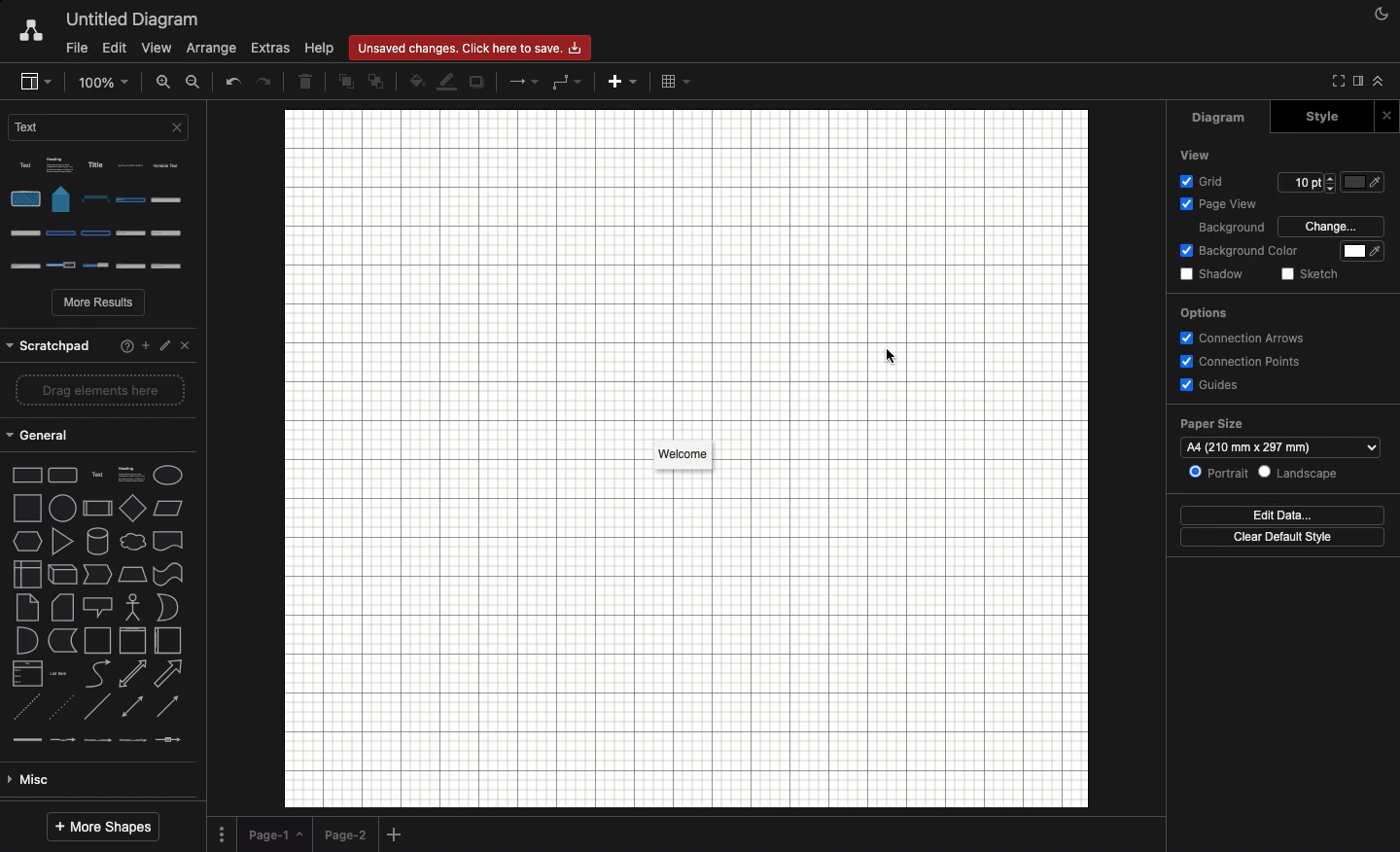  What do you see at coordinates (102, 828) in the screenshot?
I see `More shapes` at bounding box center [102, 828].